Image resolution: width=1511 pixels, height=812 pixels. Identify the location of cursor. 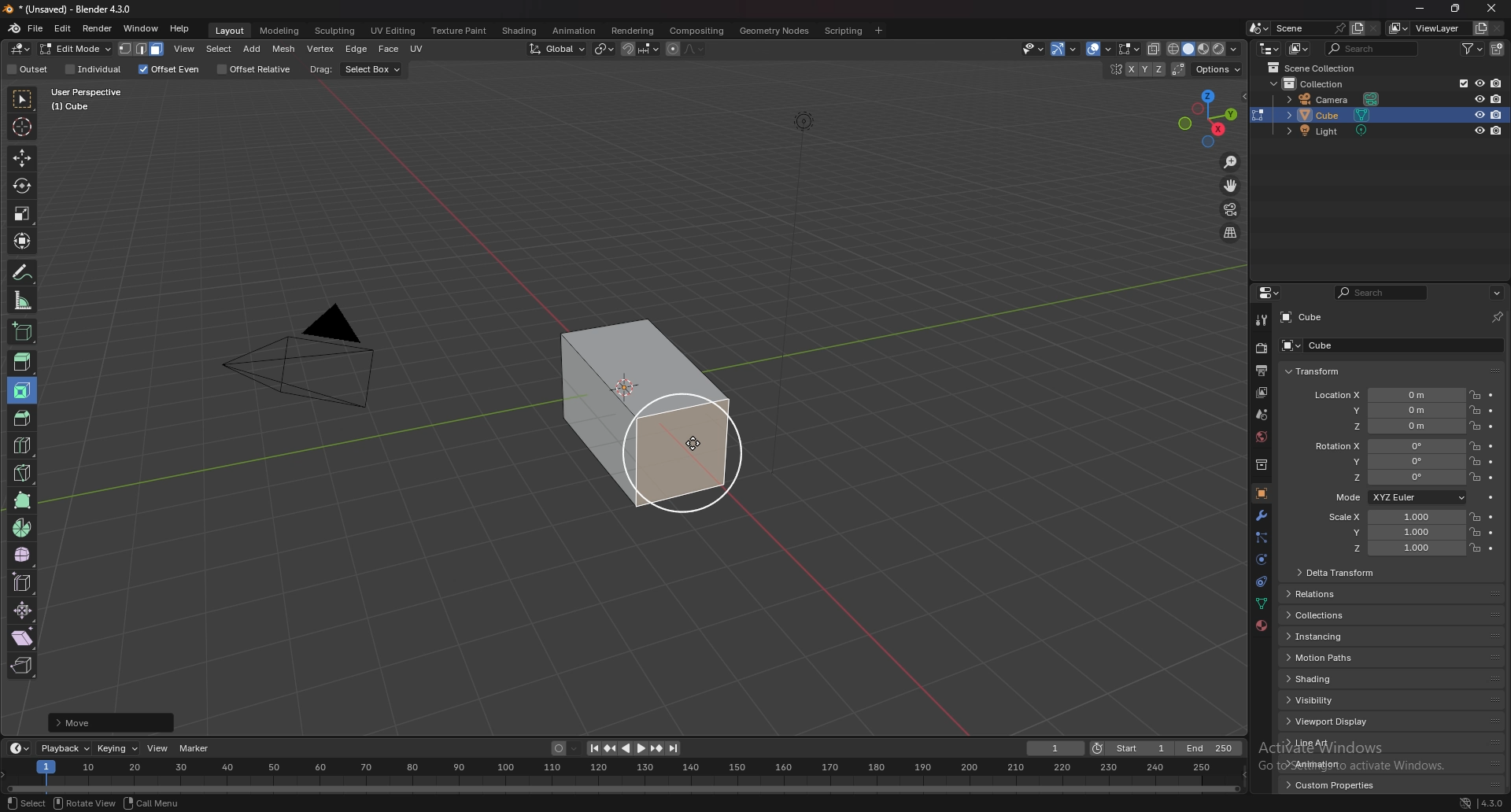
(693, 442).